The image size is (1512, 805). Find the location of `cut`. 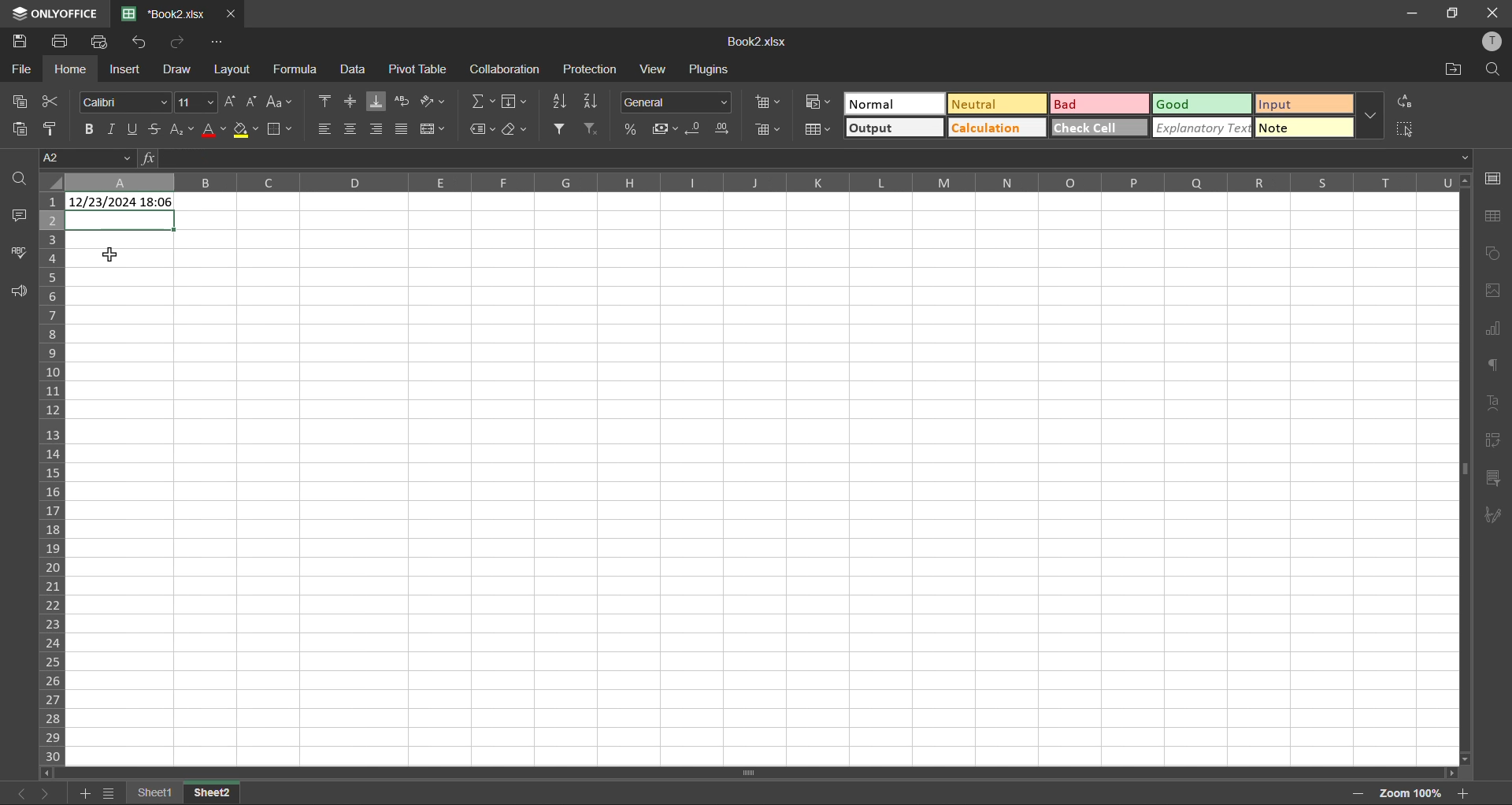

cut is located at coordinates (46, 102).